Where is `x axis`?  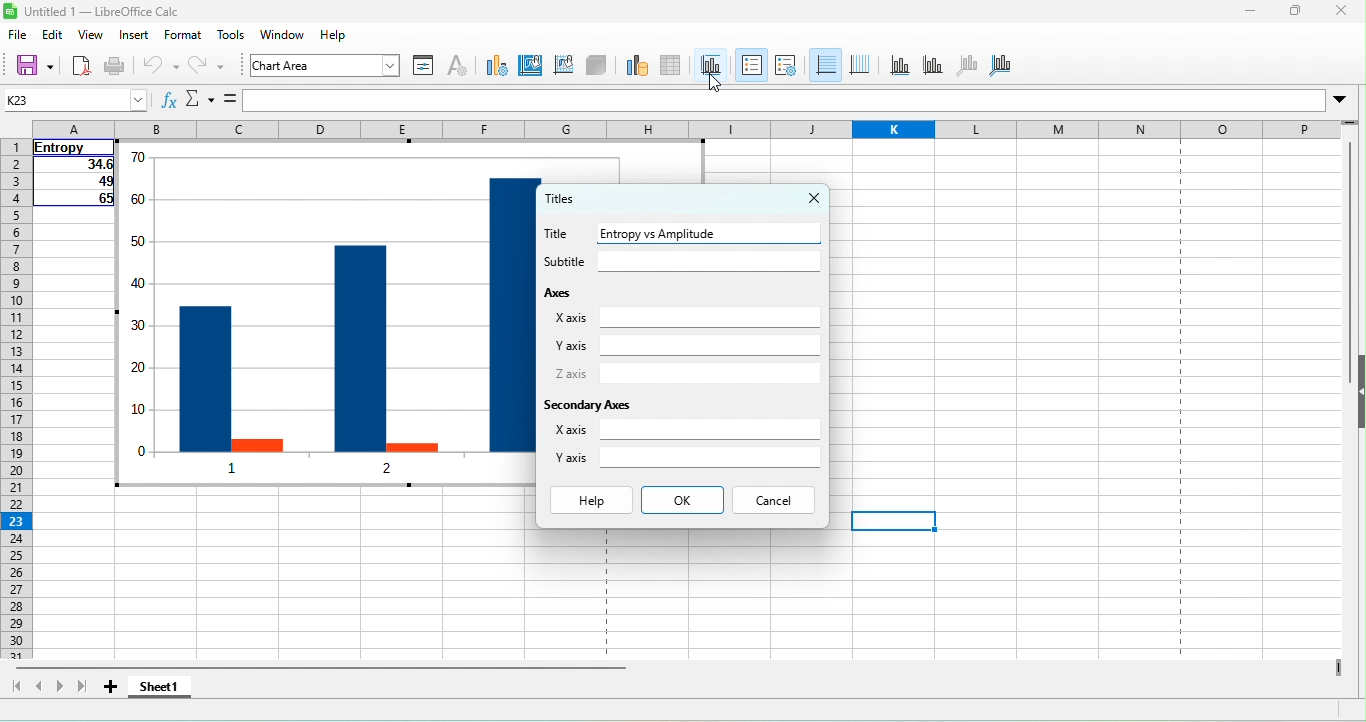
x axis is located at coordinates (899, 65).